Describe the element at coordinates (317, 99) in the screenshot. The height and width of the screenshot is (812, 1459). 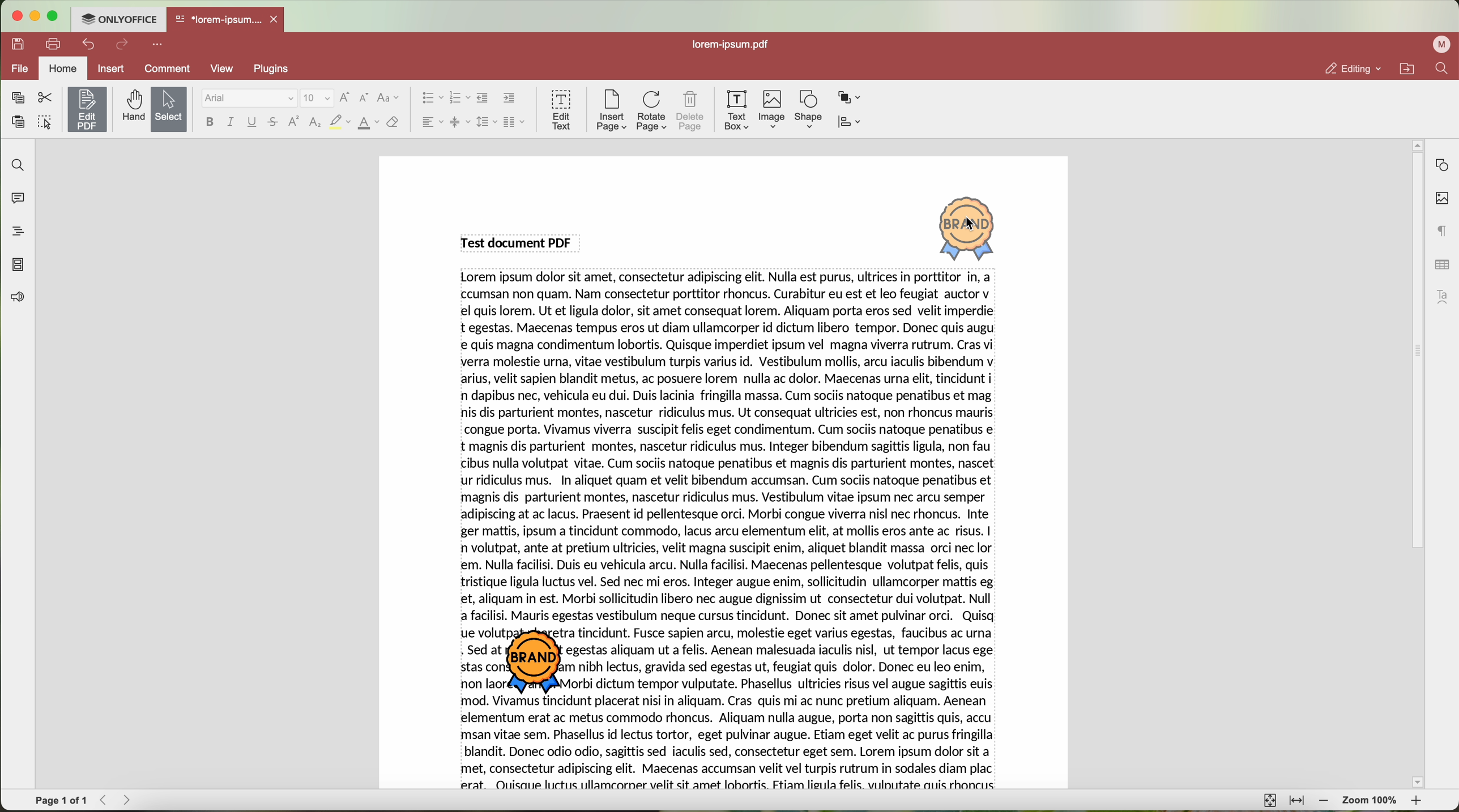
I see `size font` at that location.